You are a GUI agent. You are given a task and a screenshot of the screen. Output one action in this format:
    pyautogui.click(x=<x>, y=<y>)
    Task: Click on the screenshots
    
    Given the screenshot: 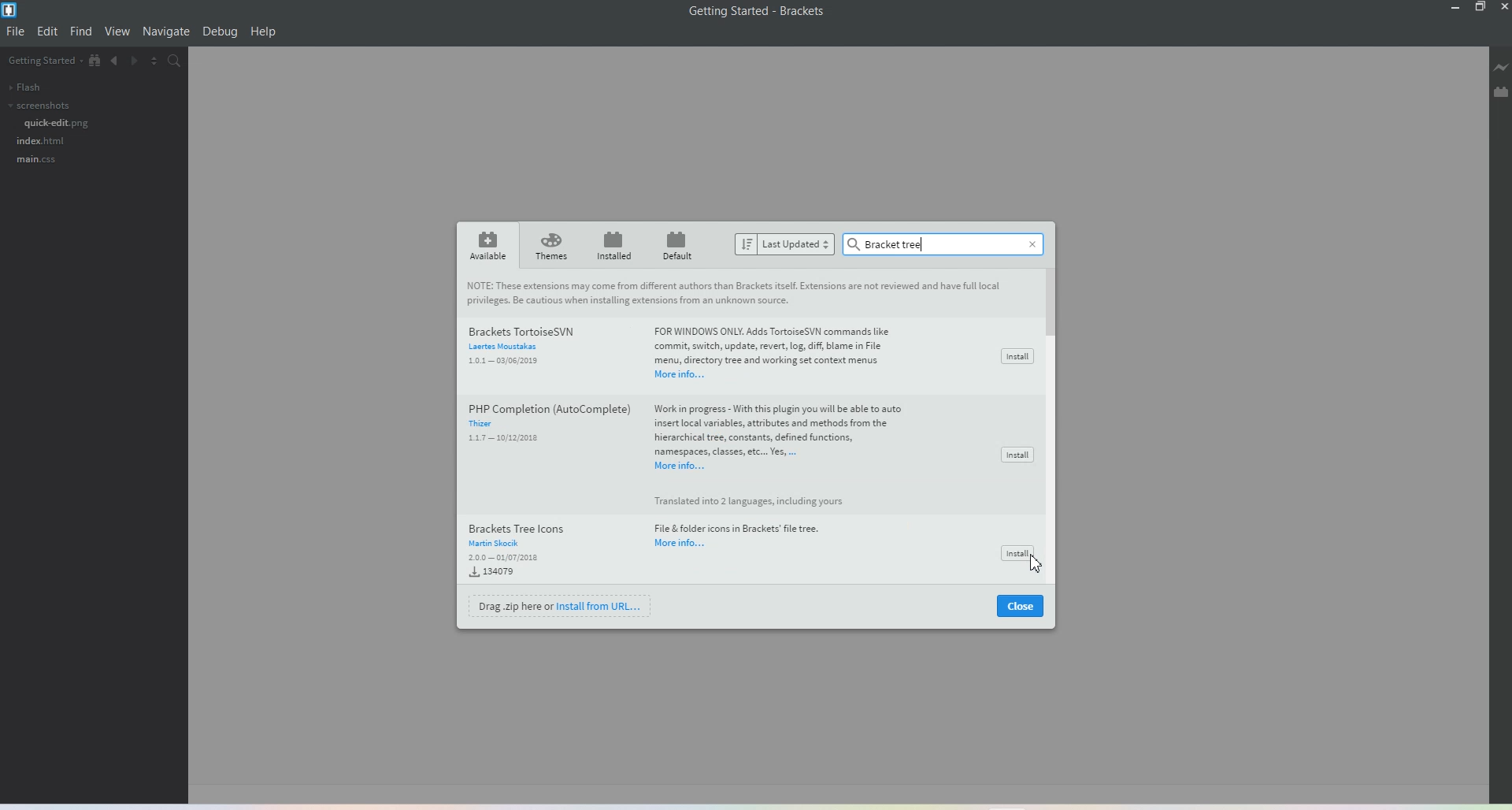 What is the action you would take?
    pyautogui.click(x=38, y=106)
    